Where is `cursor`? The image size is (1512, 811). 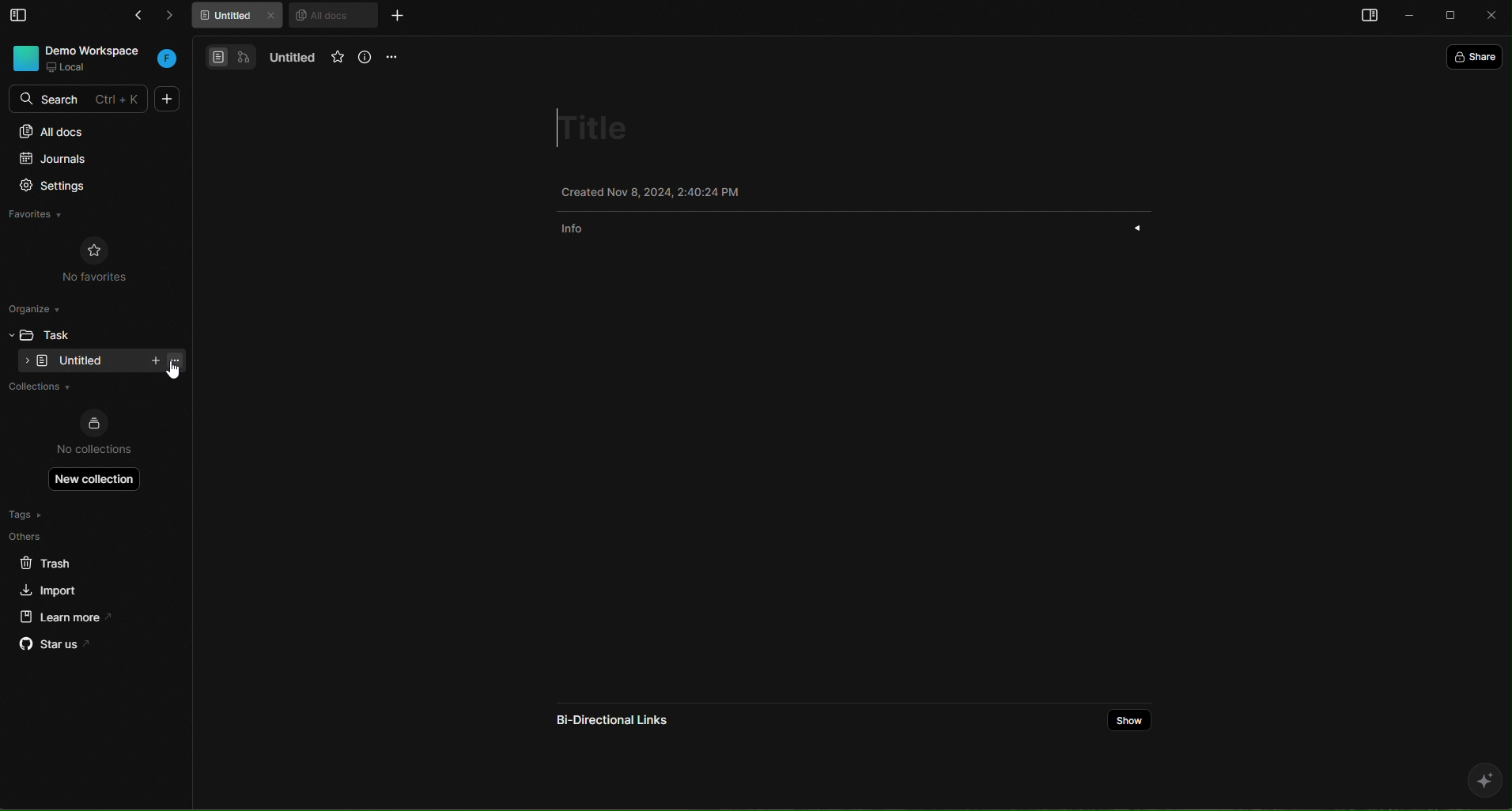 cursor is located at coordinates (170, 372).